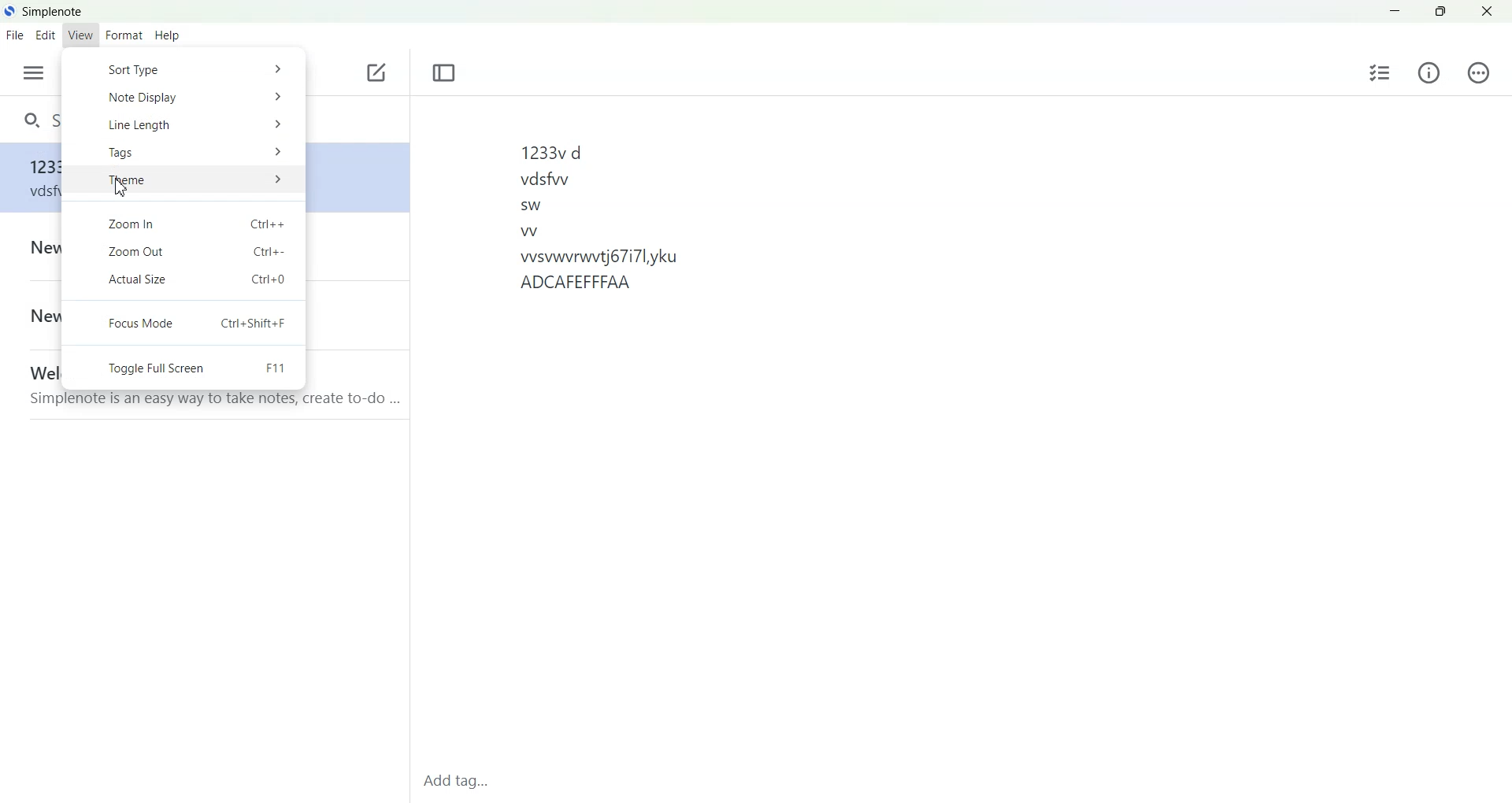 The height and width of the screenshot is (803, 1512). Describe the element at coordinates (34, 317) in the screenshot. I see `Note File` at that location.